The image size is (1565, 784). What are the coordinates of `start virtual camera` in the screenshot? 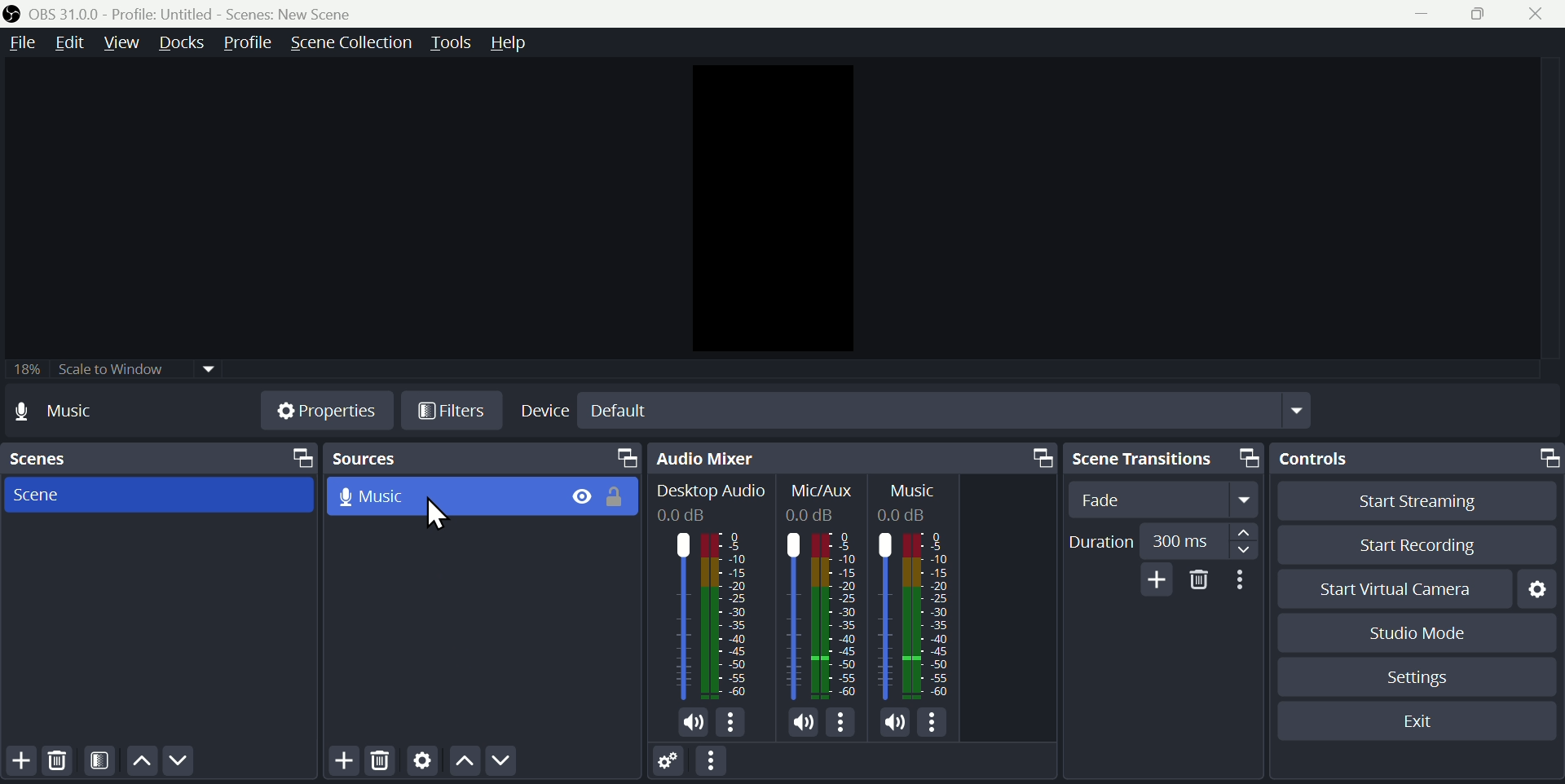 It's located at (1397, 591).